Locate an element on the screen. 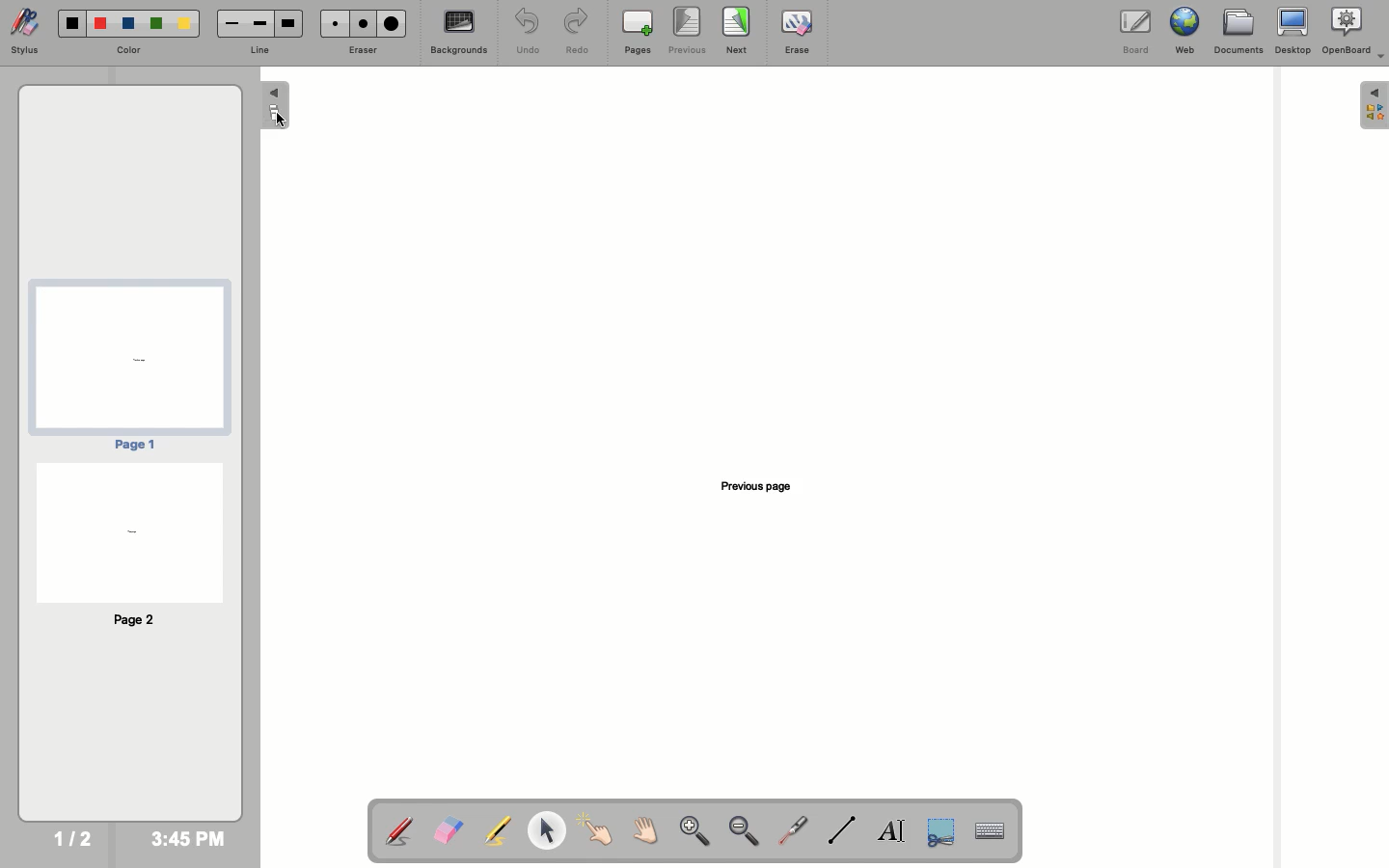 This screenshot has height=868, width=1389. Page 2 is located at coordinates (127, 544).